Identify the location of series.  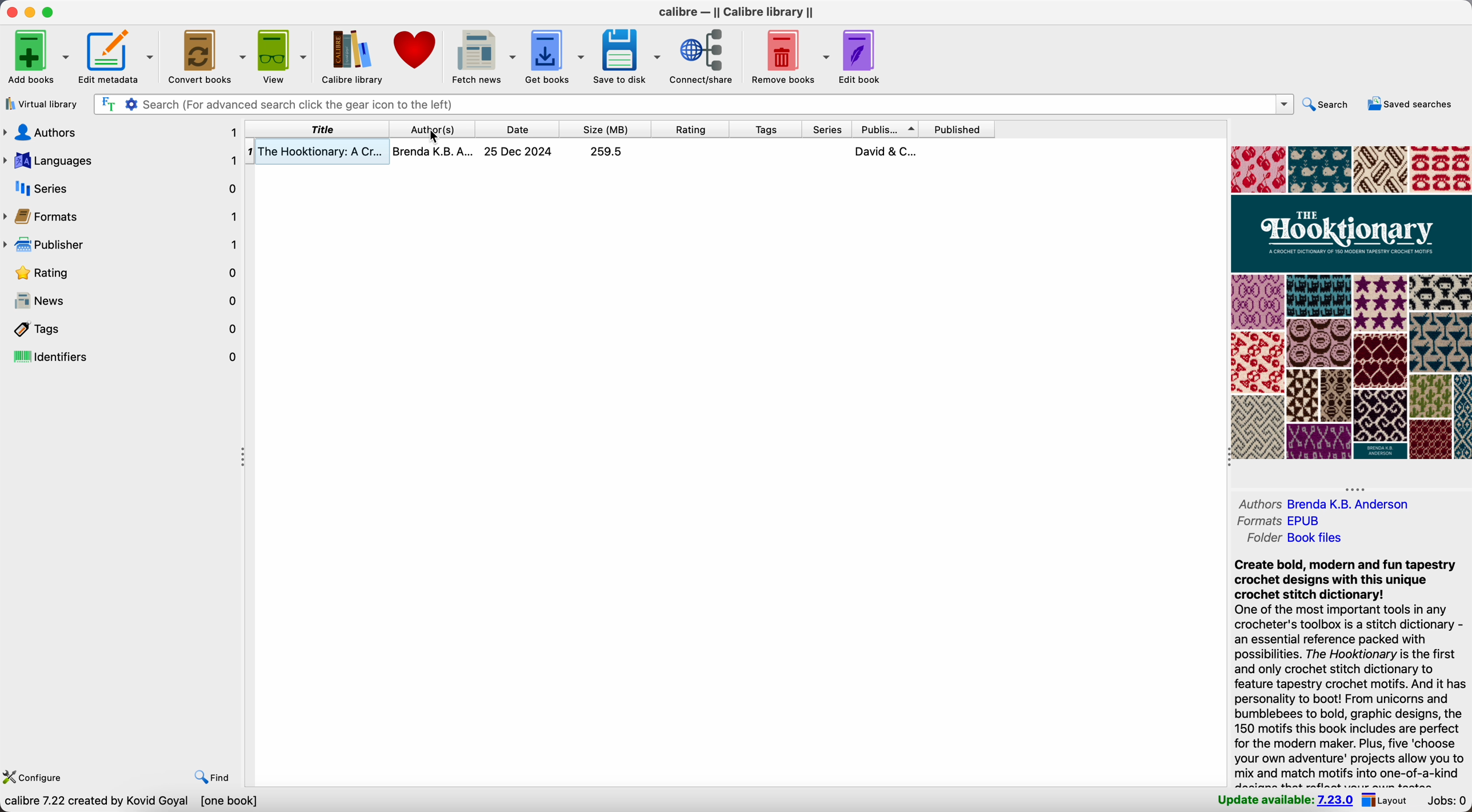
(827, 130).